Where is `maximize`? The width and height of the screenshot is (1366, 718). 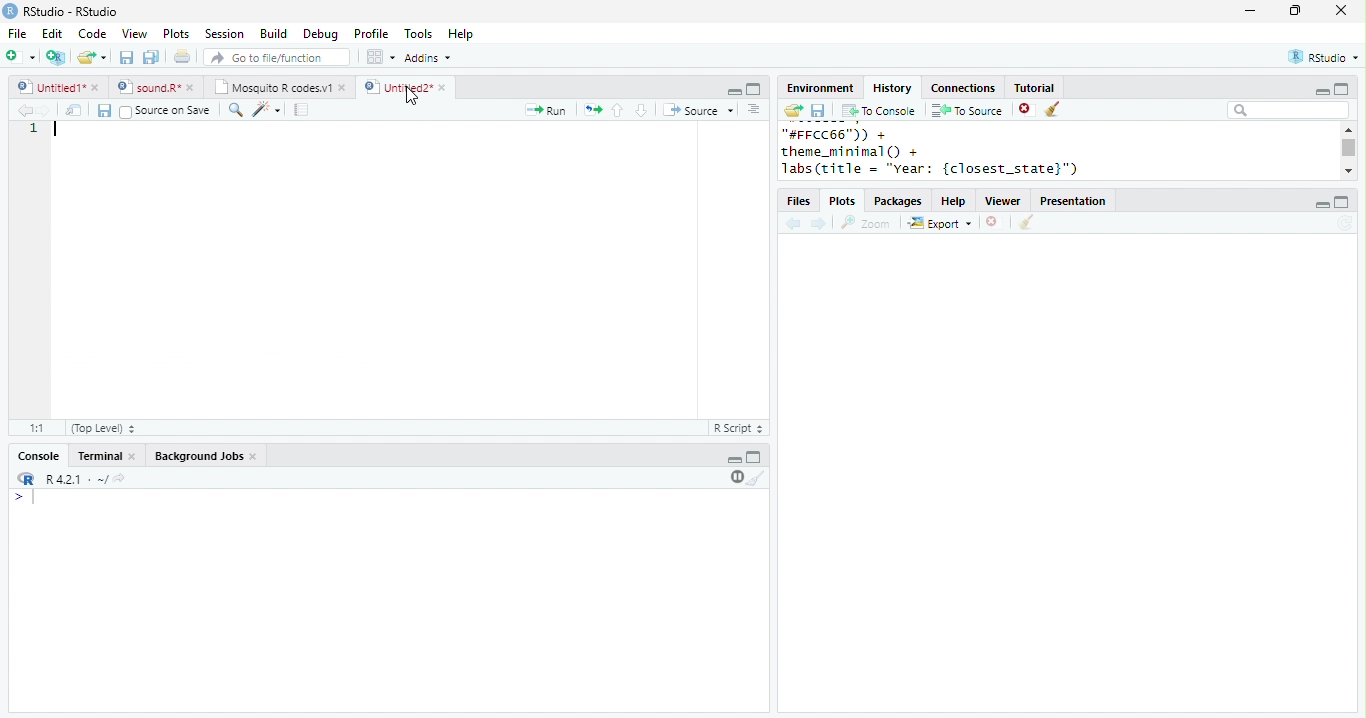 maximize is located at coordinates (1340, 88).